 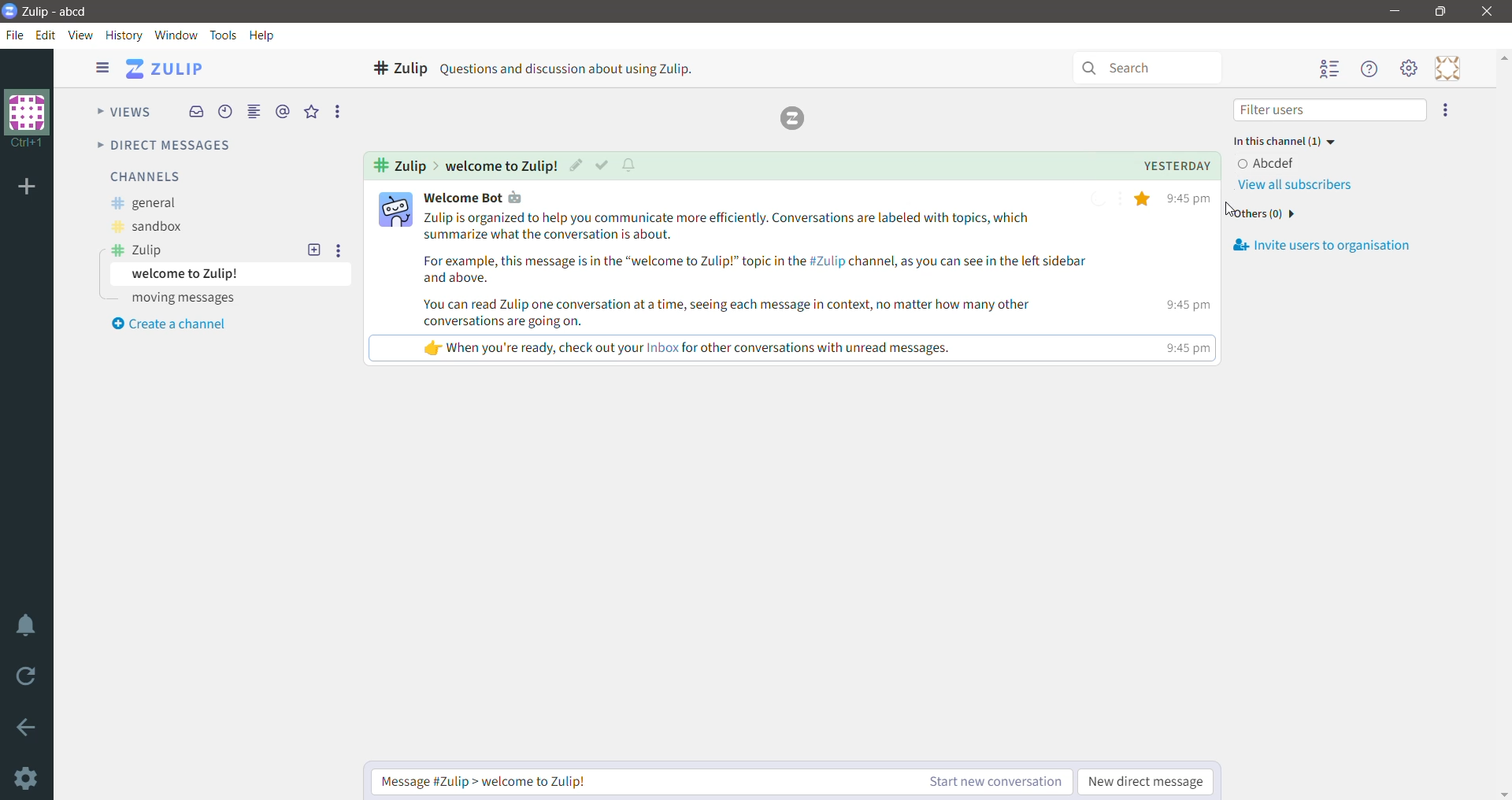 What do you see at coordinates (27, 728) in the screenshot?
I see `Go back` at bounding box center [27, 728].